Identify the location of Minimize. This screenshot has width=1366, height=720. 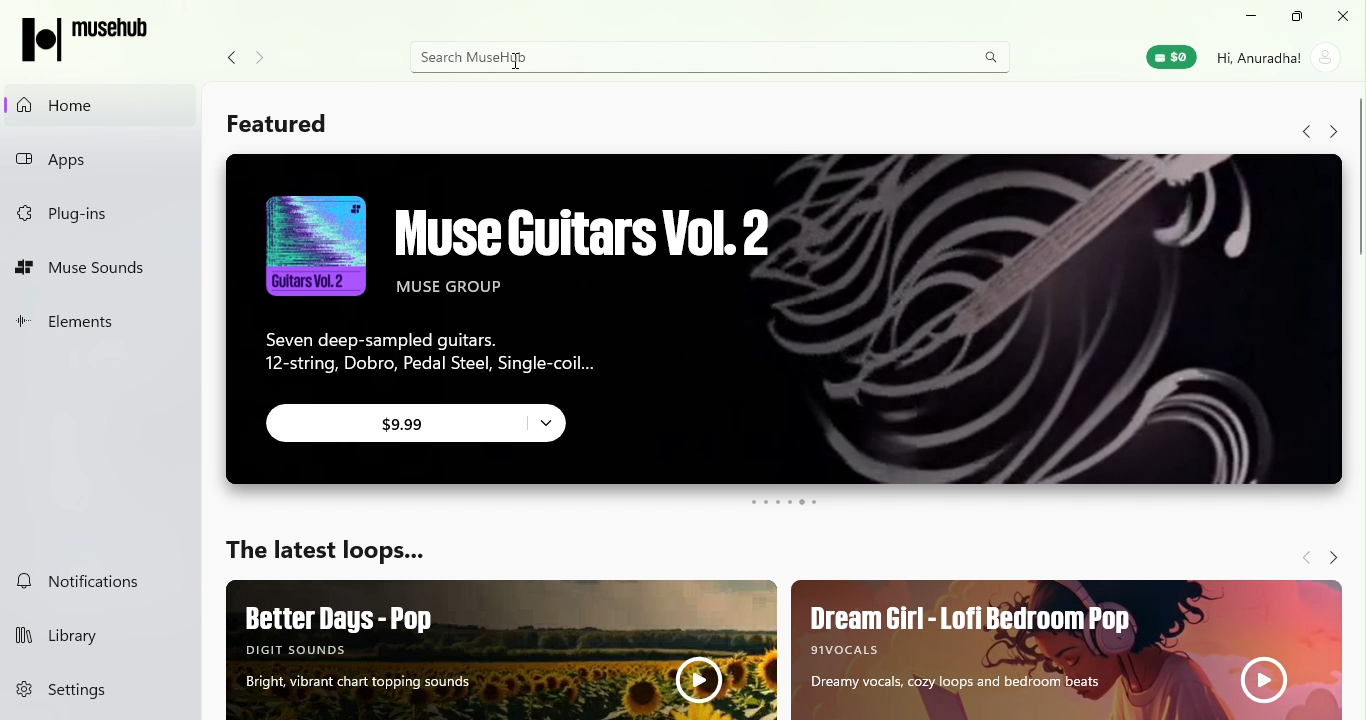
(1252, 16).